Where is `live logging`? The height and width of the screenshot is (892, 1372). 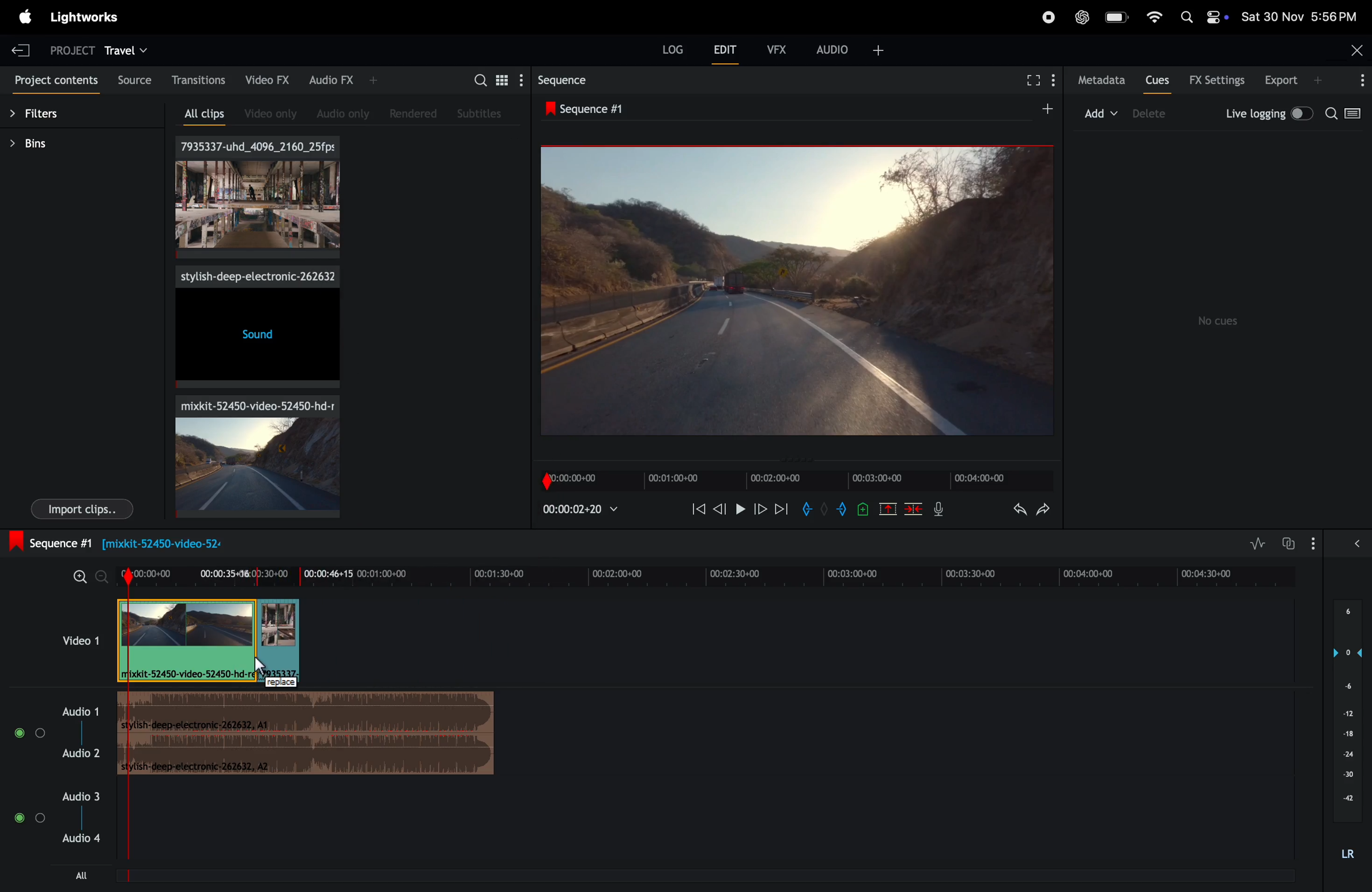 live logging is located at coordinates (1266, 112).